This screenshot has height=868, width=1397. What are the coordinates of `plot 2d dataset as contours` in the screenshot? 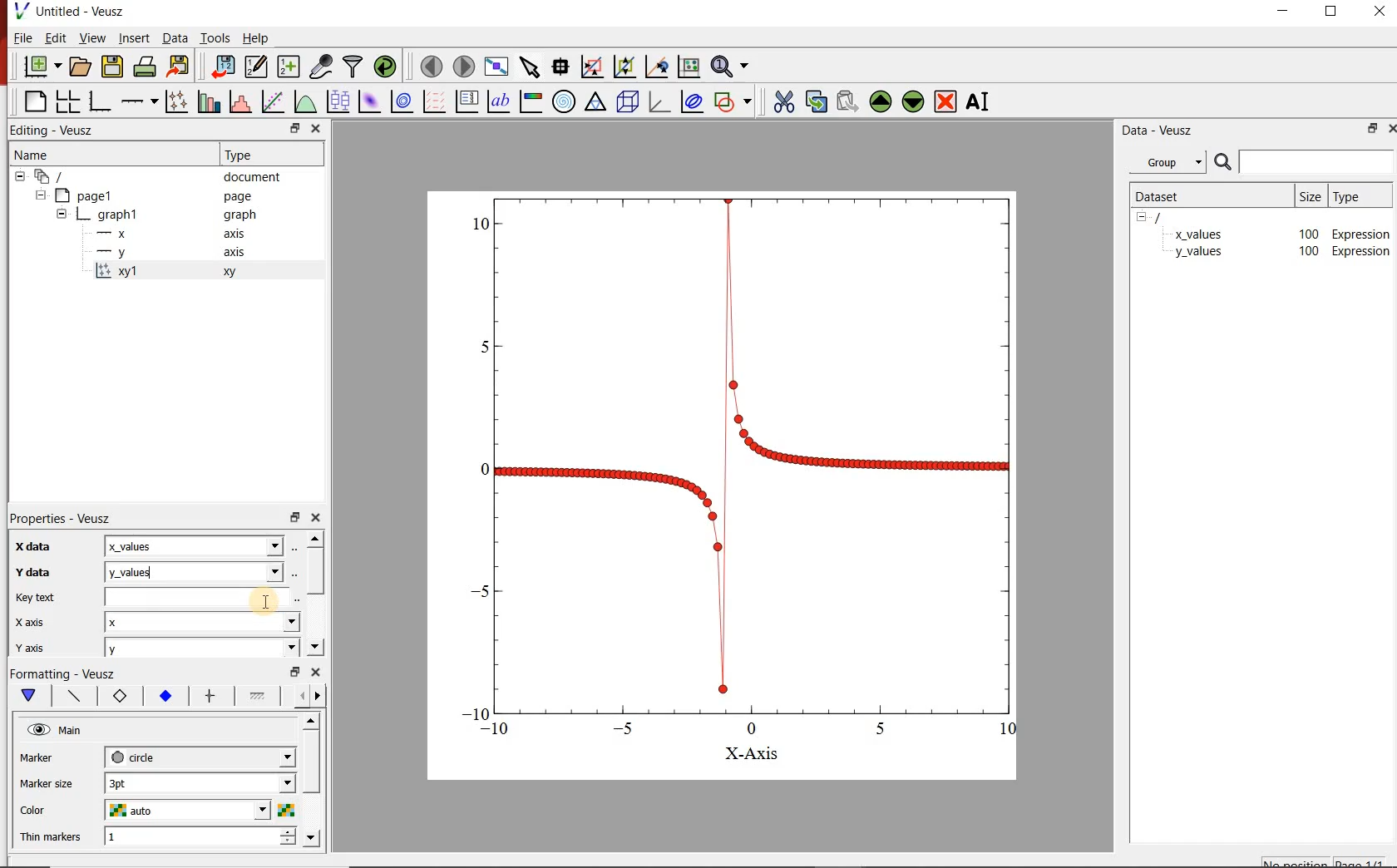 It's located at (403, 101).